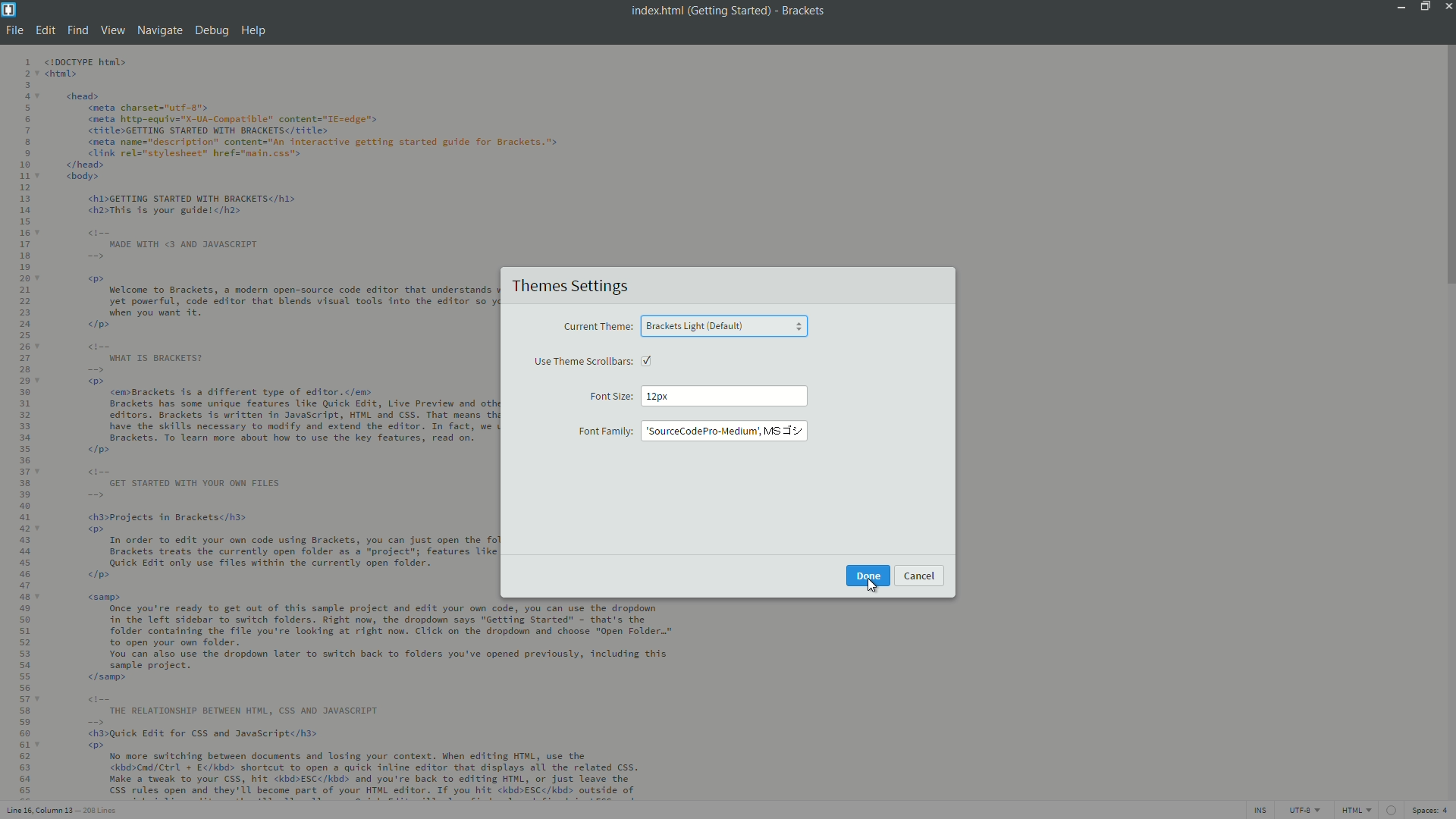  What do you see at coordinates (657, 396) in the screenshot?
I see `12 px` at bounding box center [657, 396].